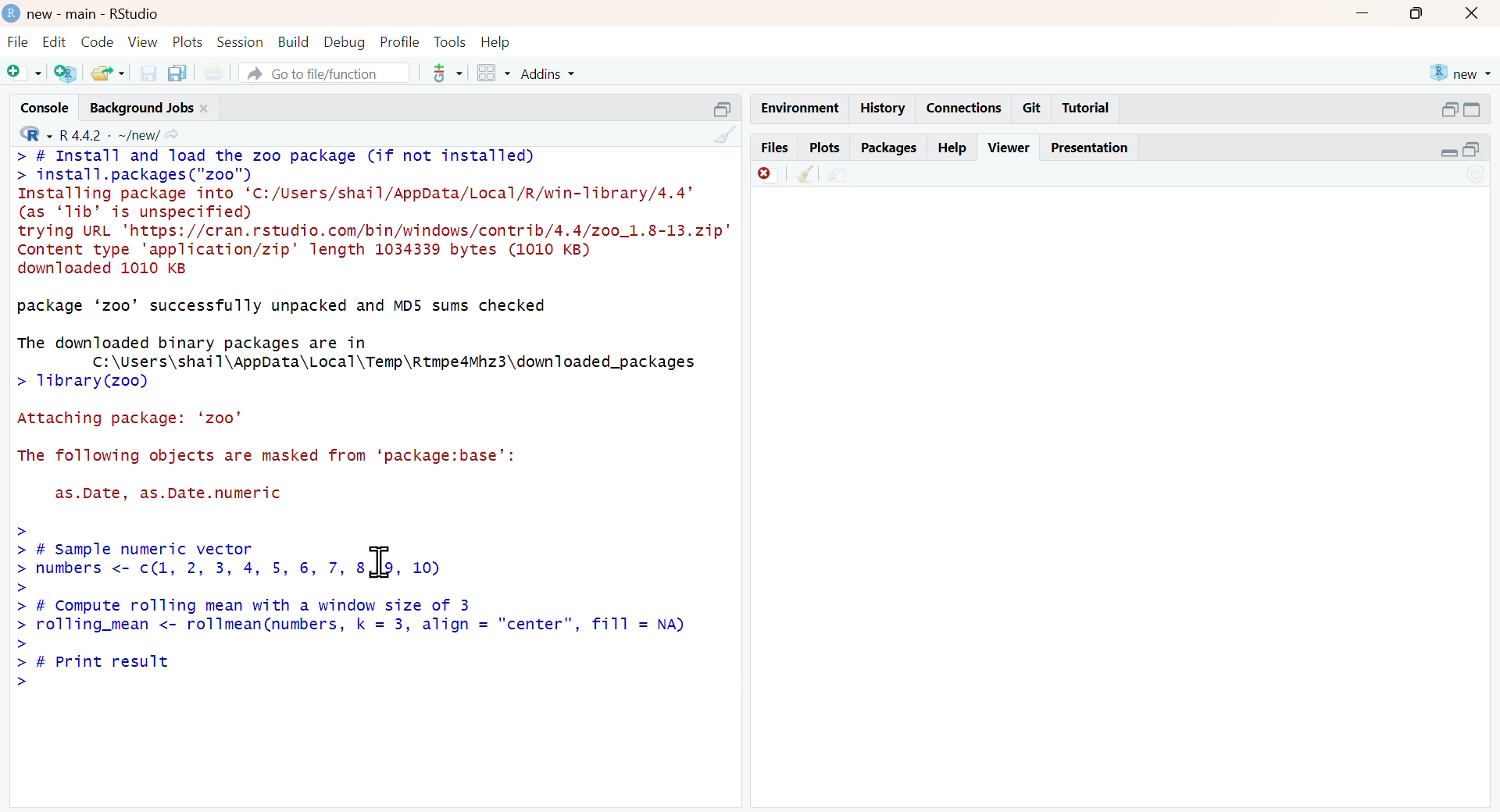 The height and width of the screenshot is (812, 1500). What do you see at coordinates (141, 108) in the screenshot?
I see `Background jobs` at bounding box center [141, 108].